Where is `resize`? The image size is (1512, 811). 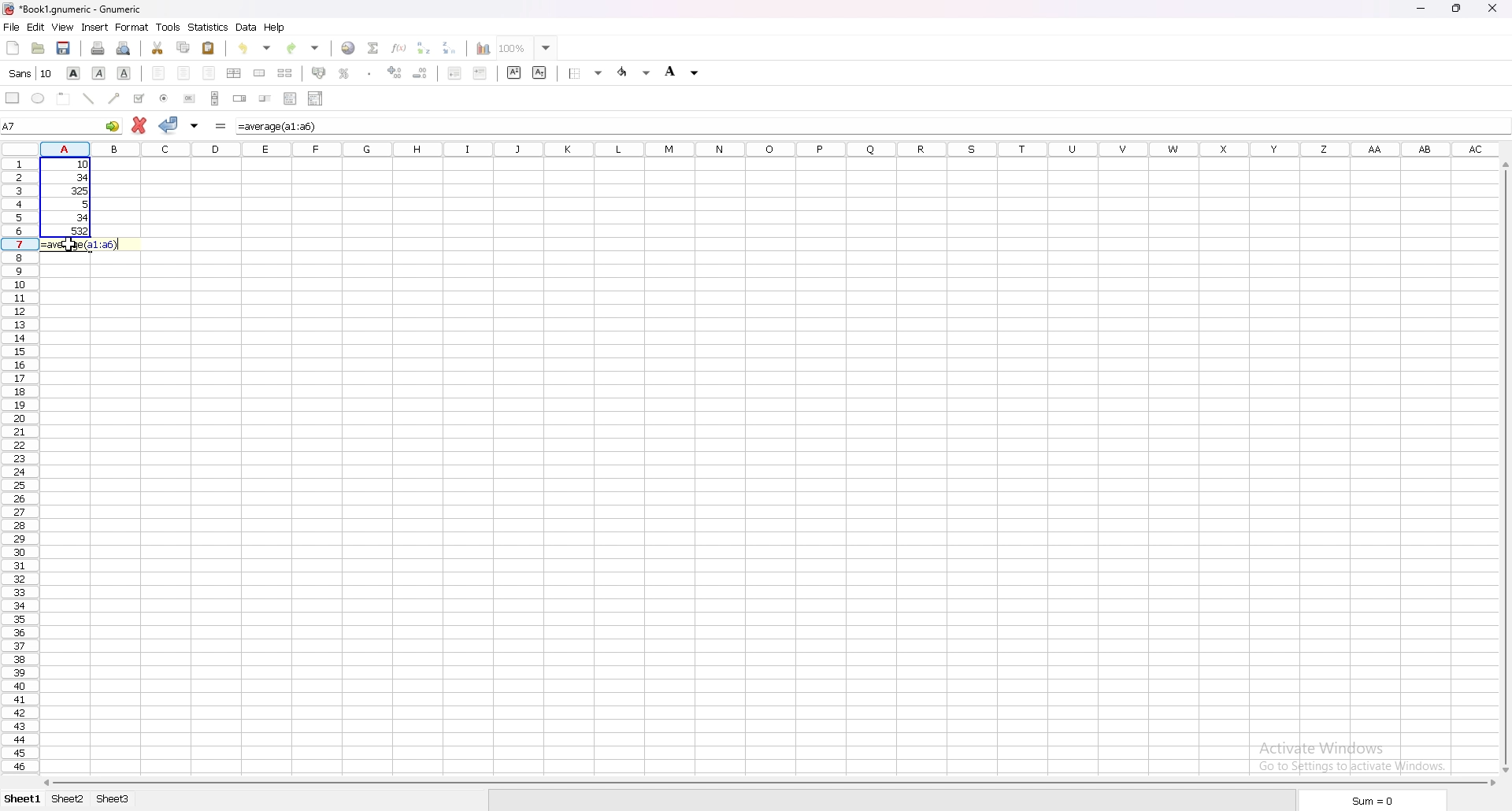
resize is located at coordinates (1455, 8).